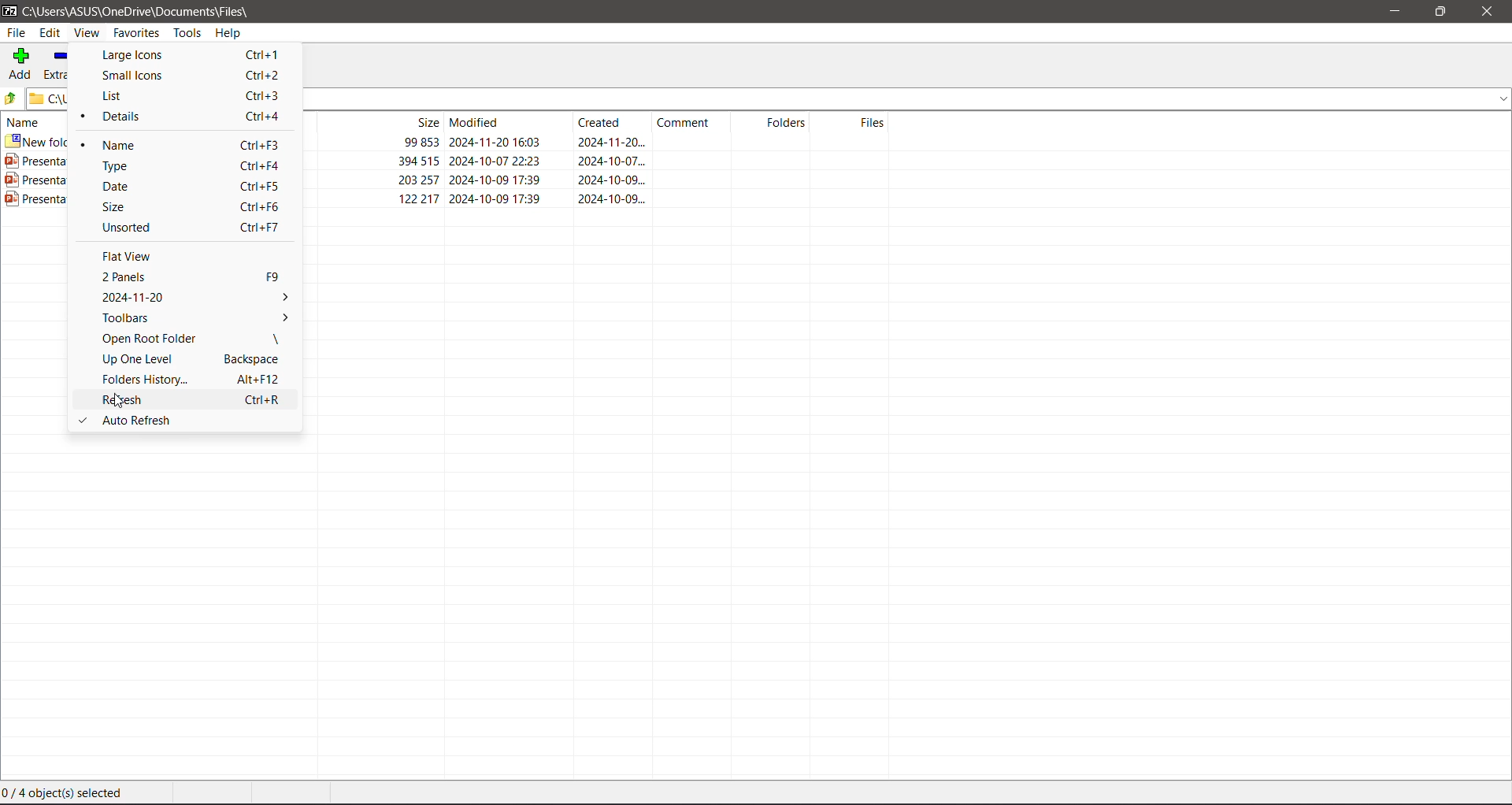 The image size is (1512, 805). I want to click on ppt 1, so click(598, 159).